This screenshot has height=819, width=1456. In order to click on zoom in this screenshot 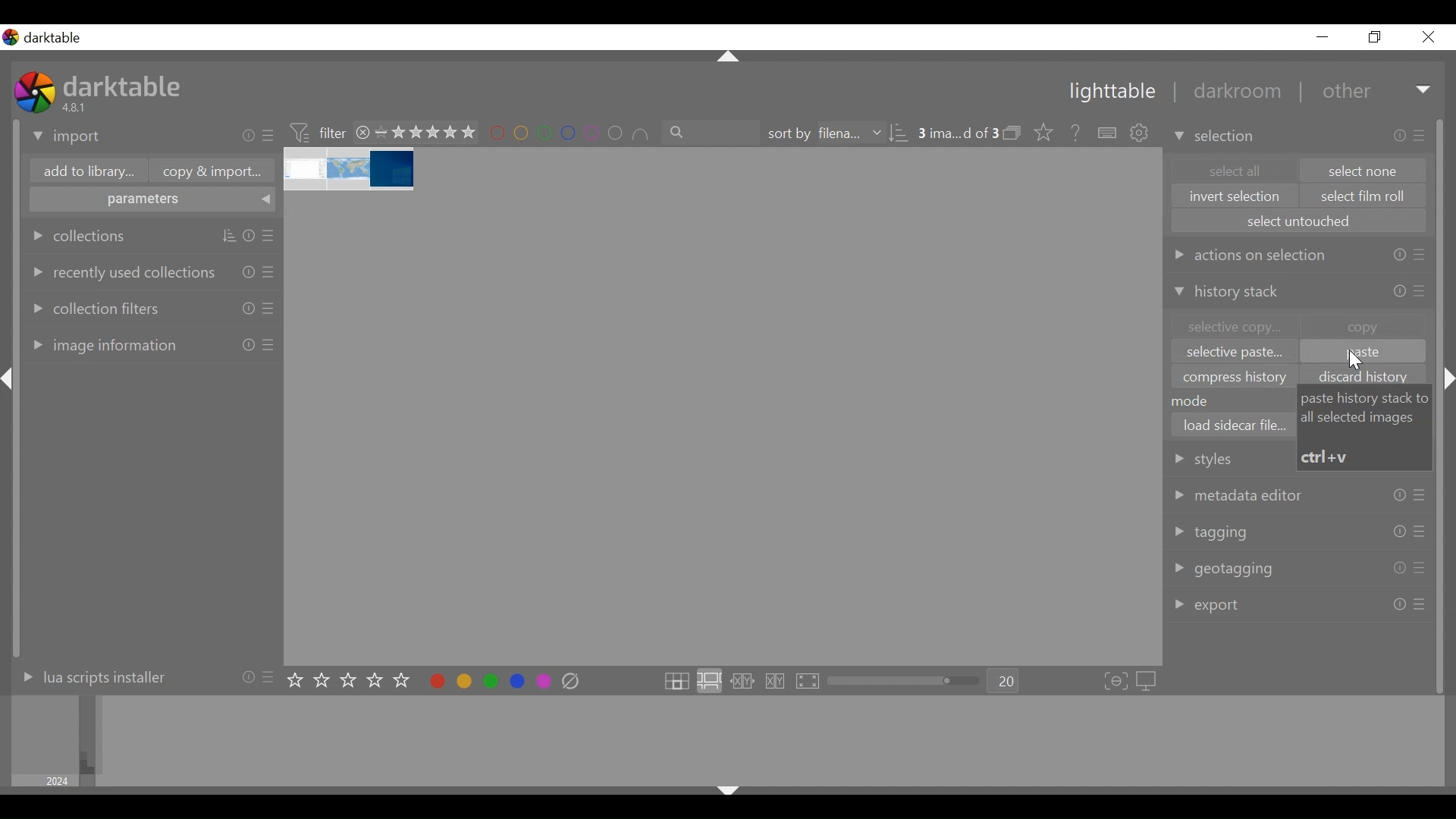, I will do `click(904, 681)`.